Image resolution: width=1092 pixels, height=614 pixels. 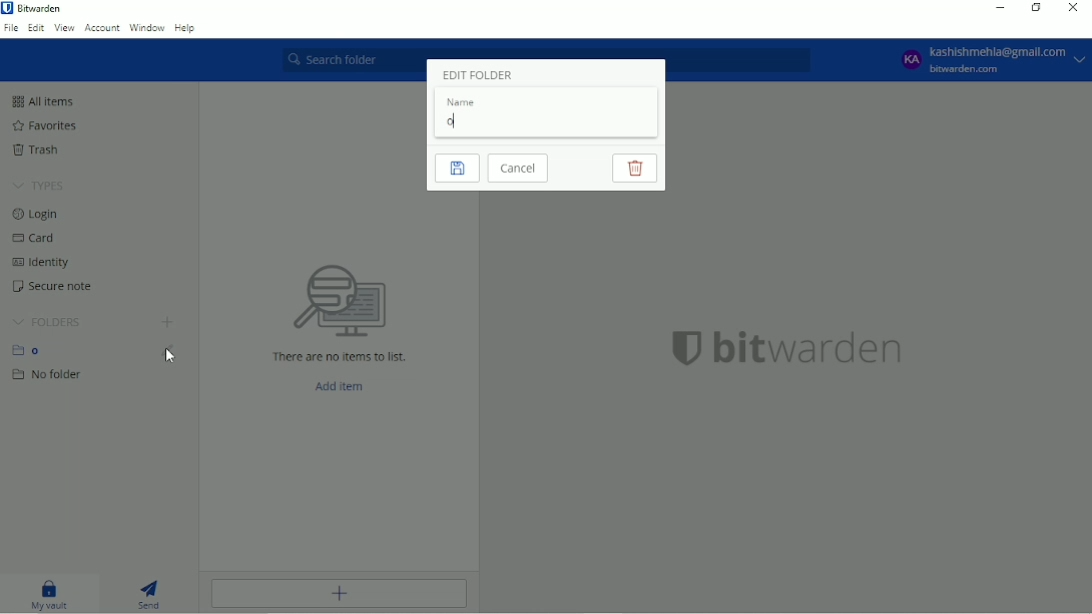 I want to click on Secure note, so click(x=55, y=286).